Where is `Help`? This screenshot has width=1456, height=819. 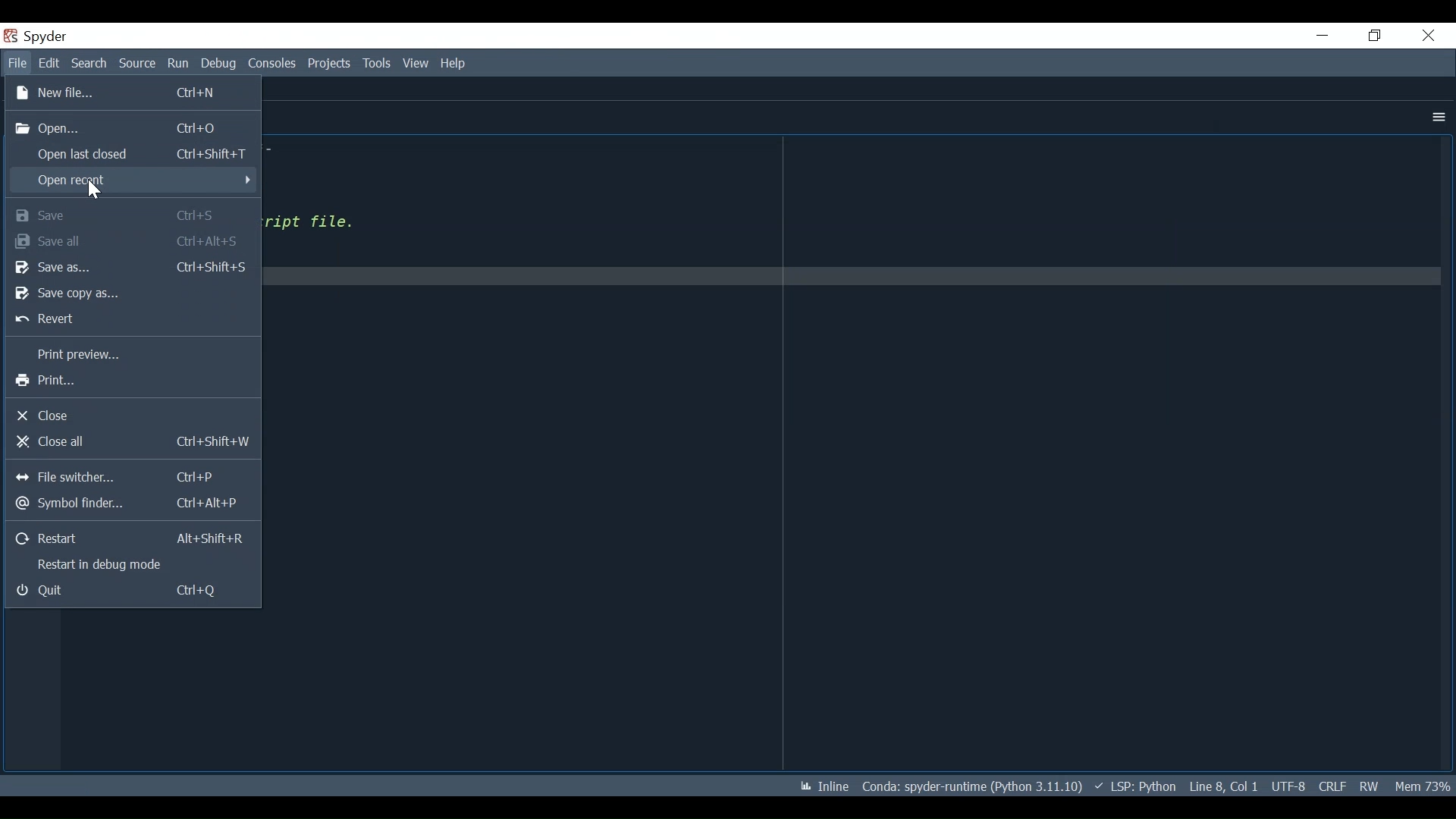
Help is located at coordinates (453, 64).